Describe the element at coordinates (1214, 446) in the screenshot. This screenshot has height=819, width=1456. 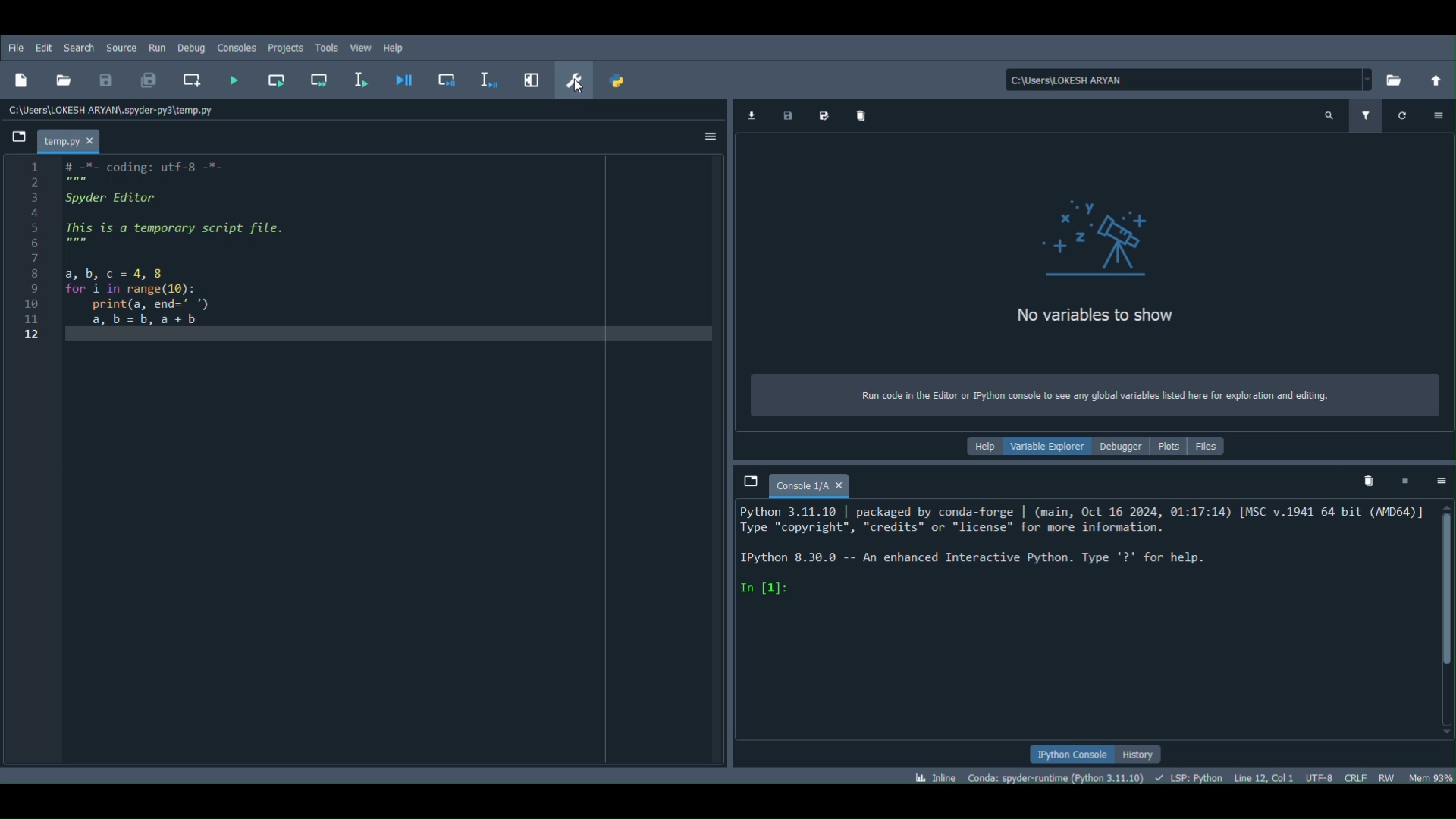
I see `Files` at that location.